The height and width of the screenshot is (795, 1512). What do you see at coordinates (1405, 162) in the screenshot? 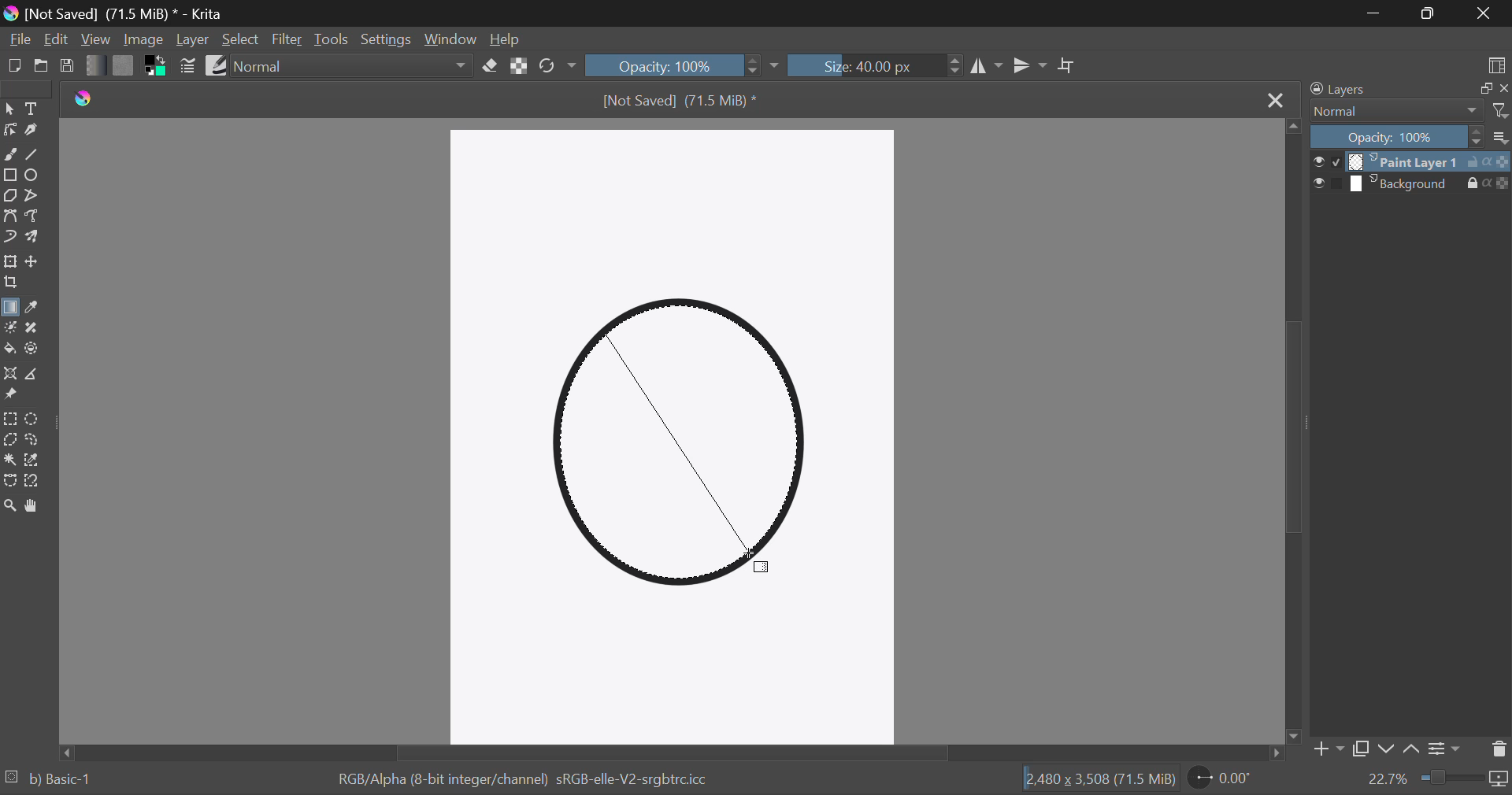
I see `layer 1` at bounding box center [1405, 162].